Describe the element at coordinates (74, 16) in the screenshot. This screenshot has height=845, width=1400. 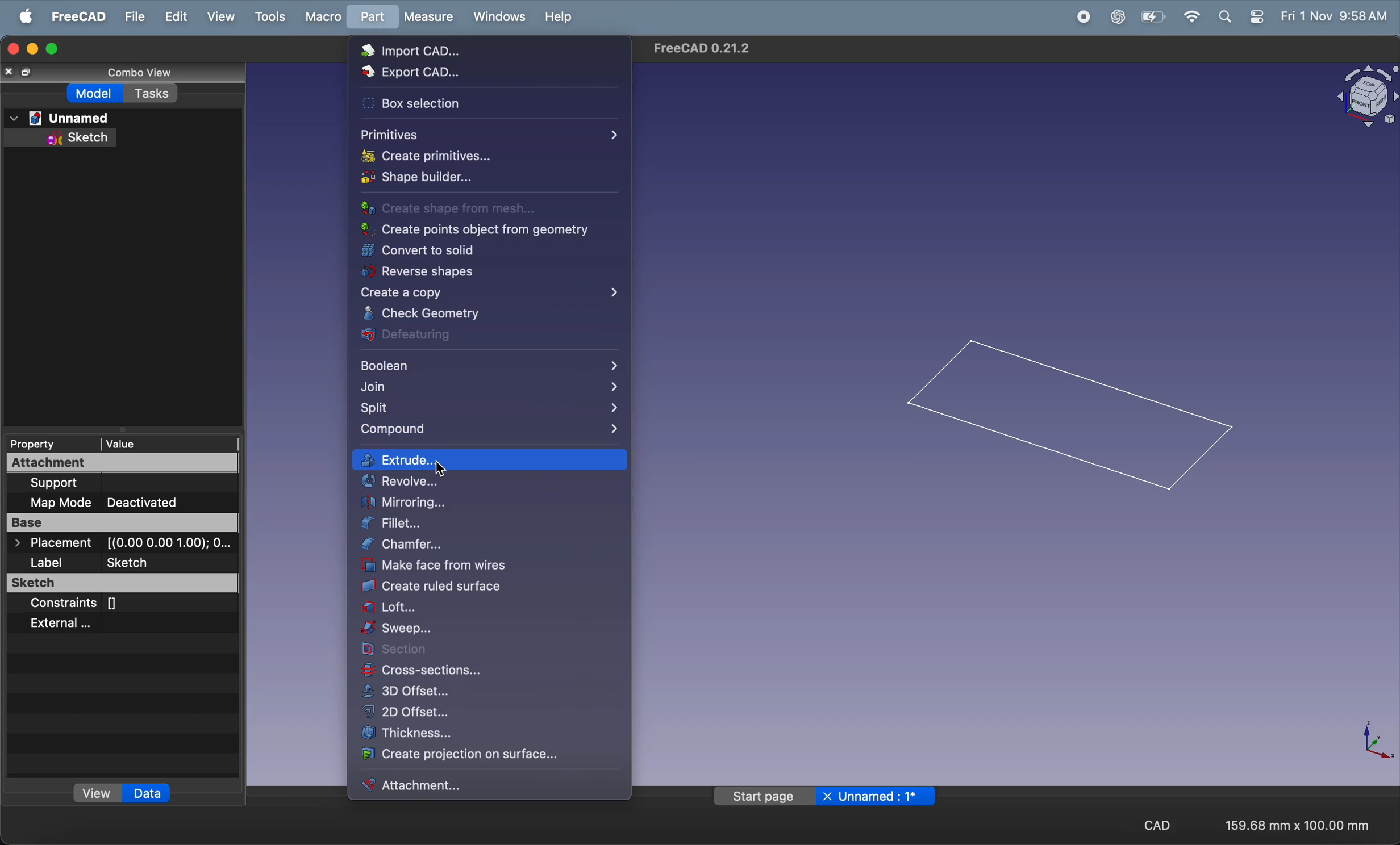
I see `freecad` at that location.